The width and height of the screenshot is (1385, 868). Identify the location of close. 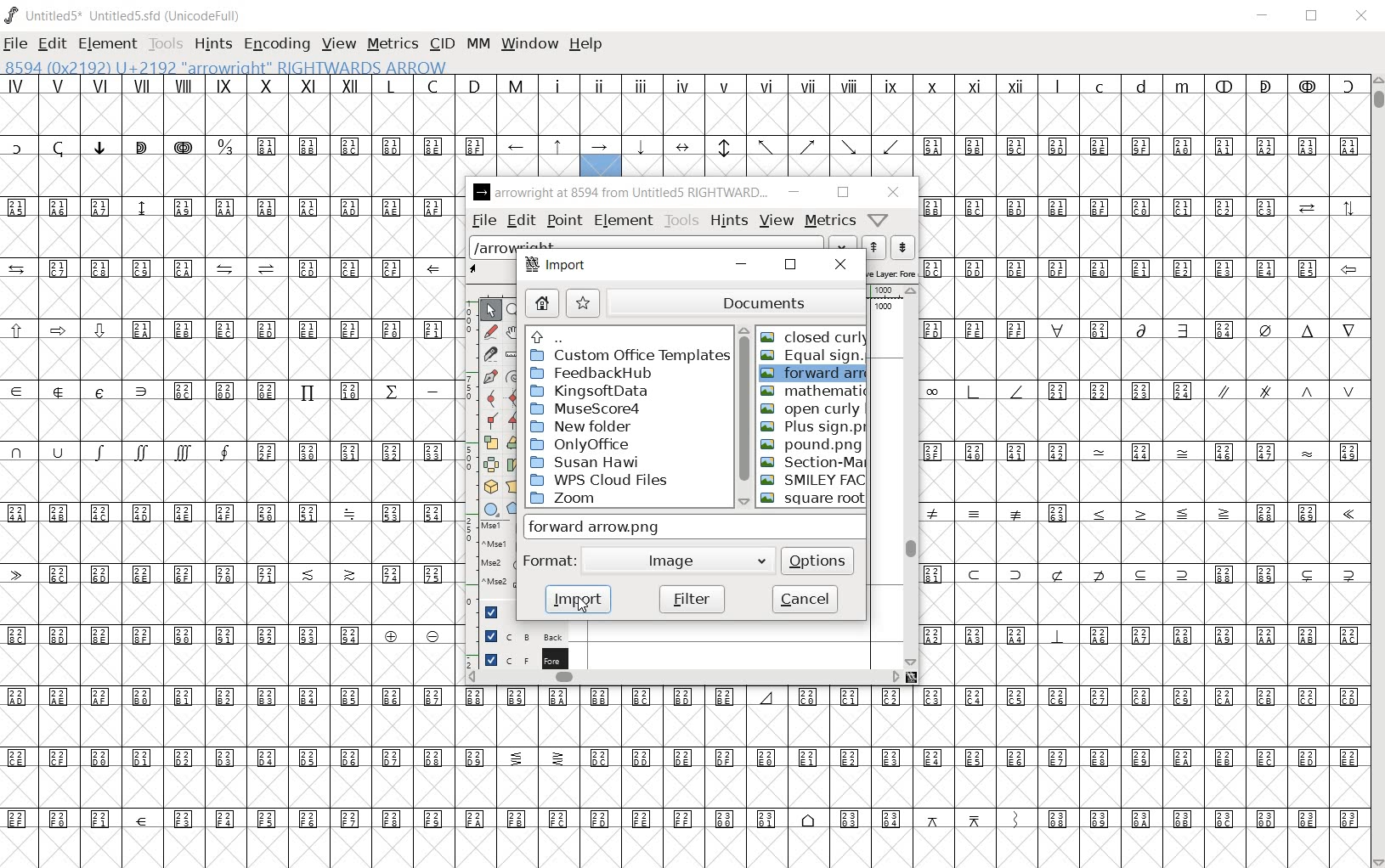
(894, 194).